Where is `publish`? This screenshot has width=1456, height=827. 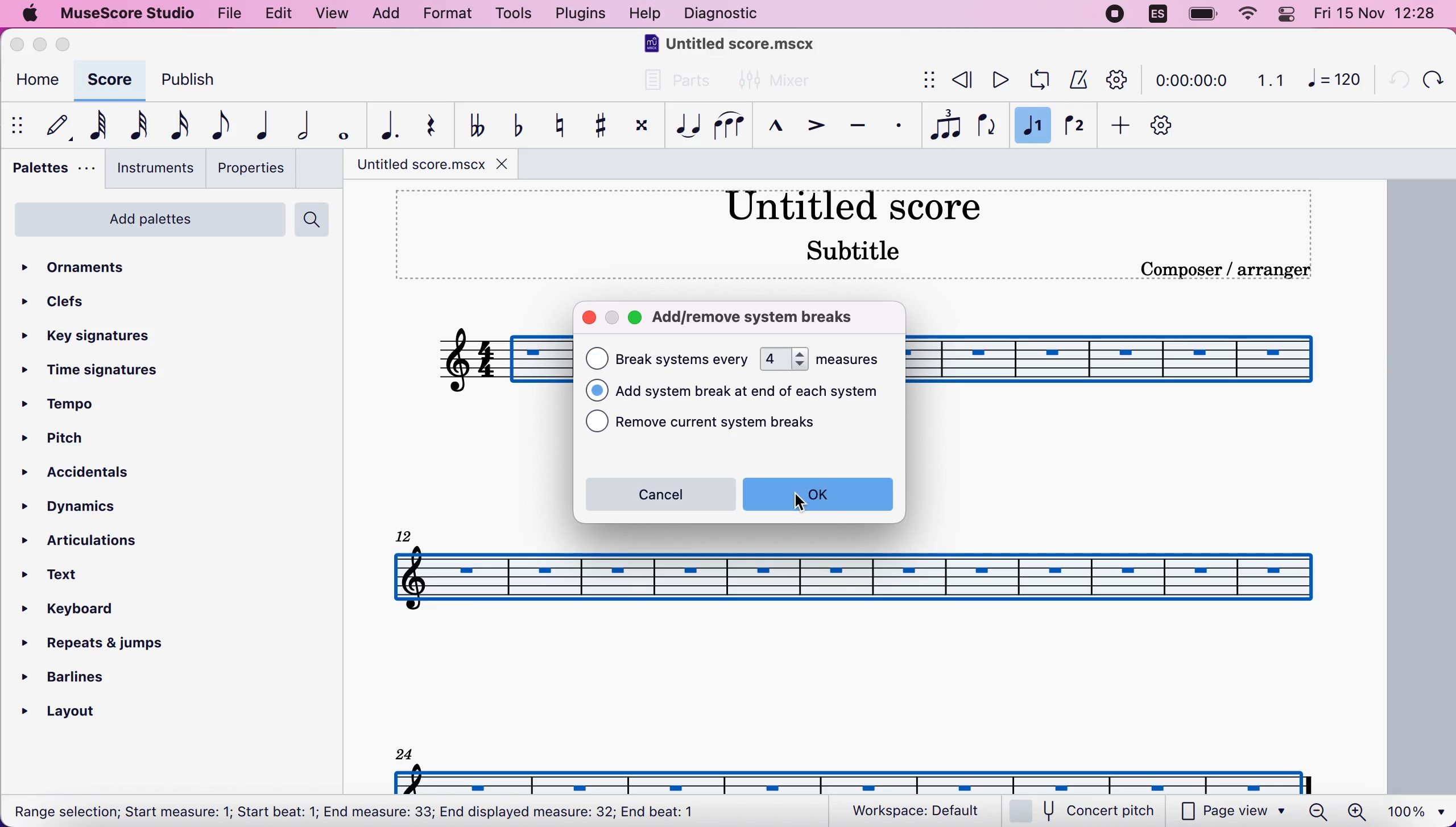 publish is located at coordinates (198, 84).